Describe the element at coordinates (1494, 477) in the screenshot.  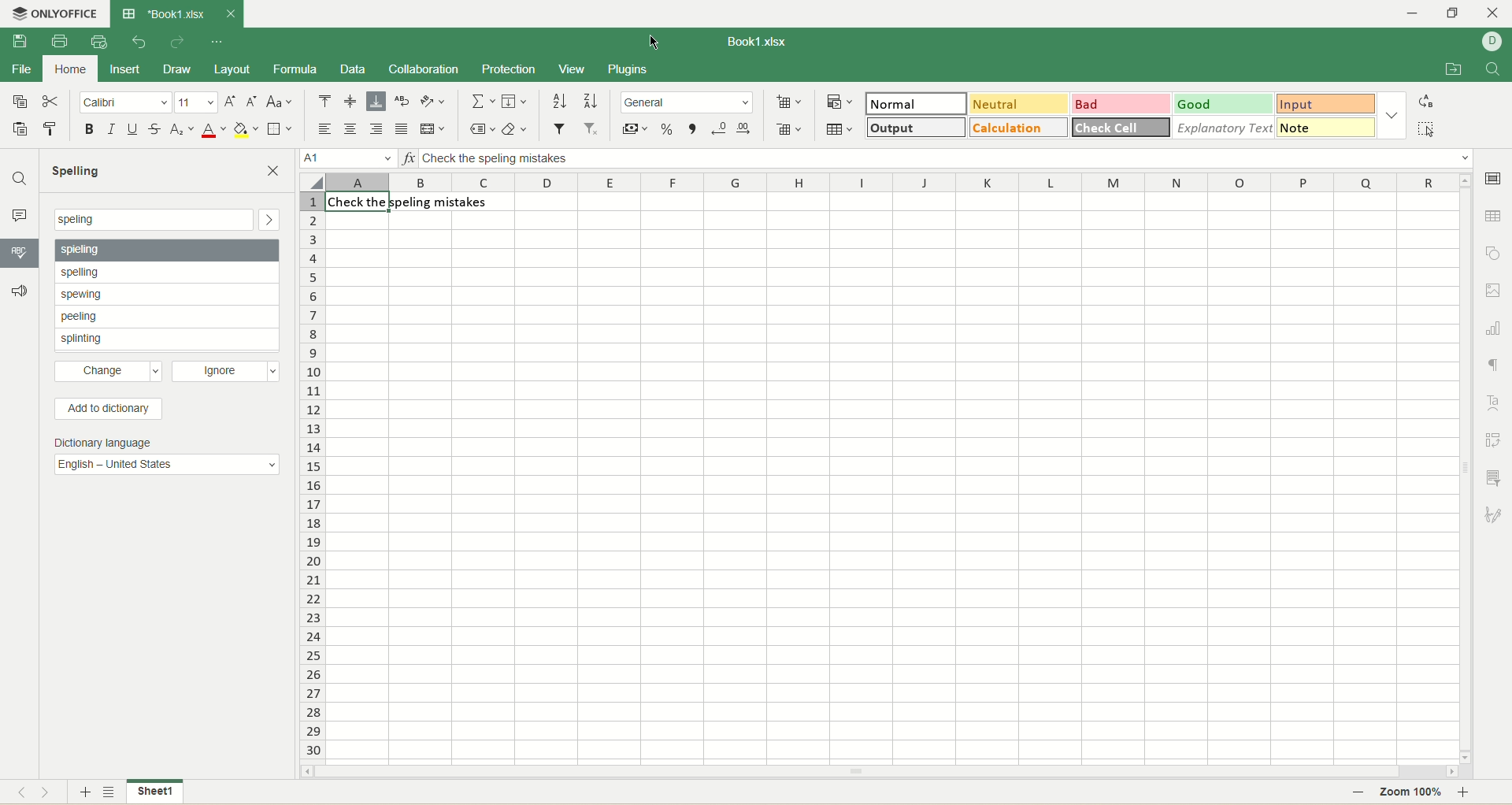
I see `slicer settings` at that location.